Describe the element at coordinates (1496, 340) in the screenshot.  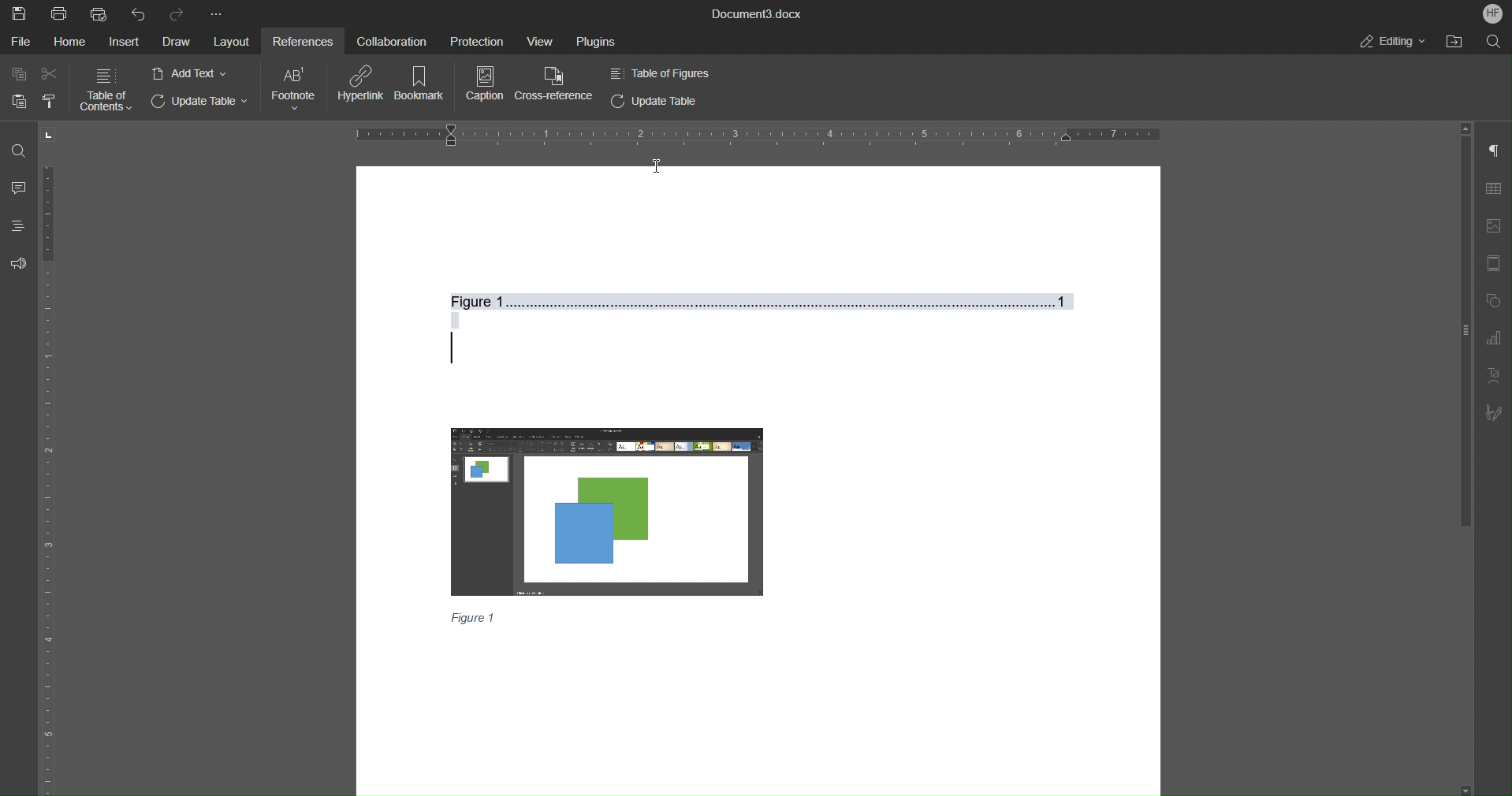
I see `Graph Settings` at that location.